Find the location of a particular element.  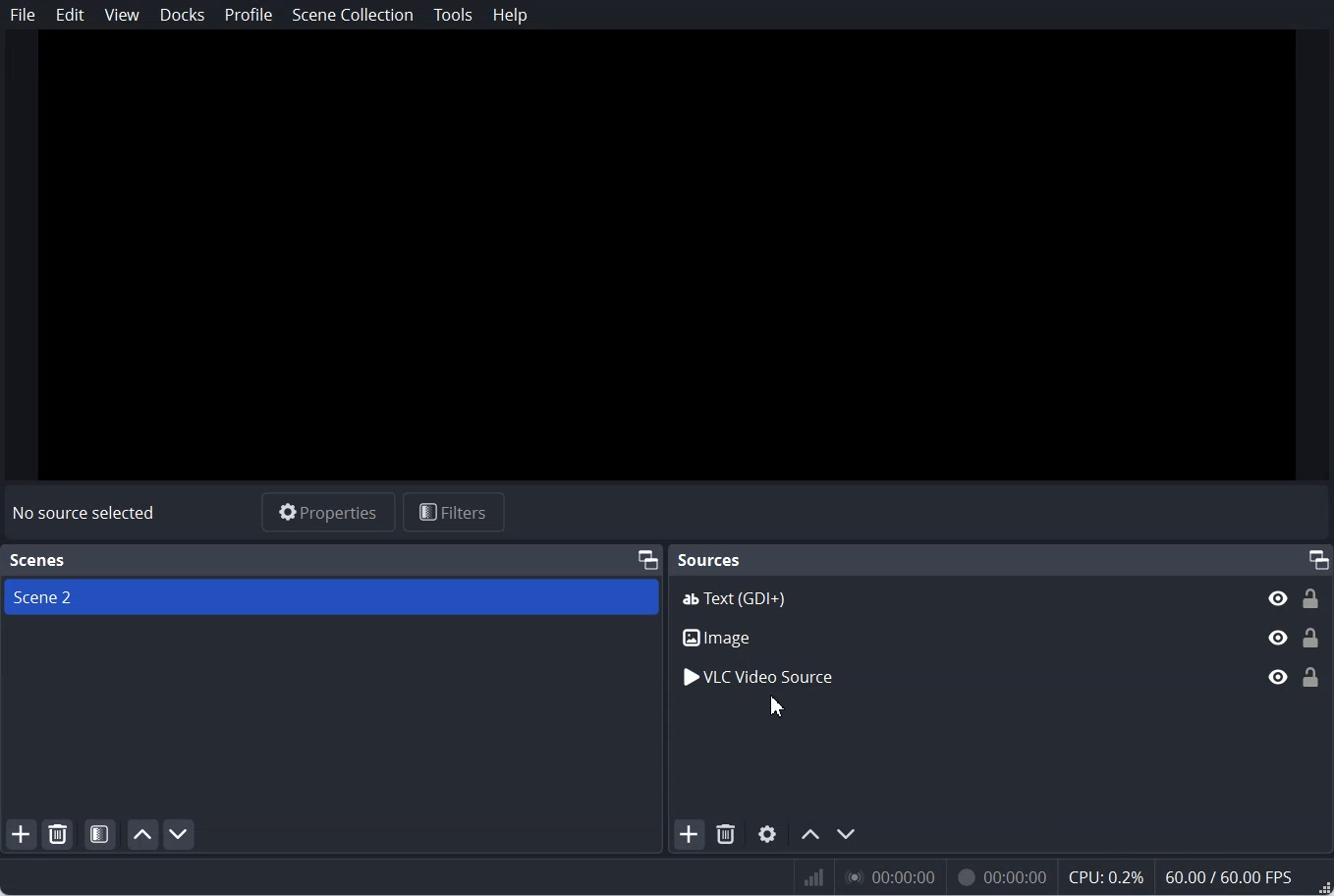

File is located at coordinates (23, 15).